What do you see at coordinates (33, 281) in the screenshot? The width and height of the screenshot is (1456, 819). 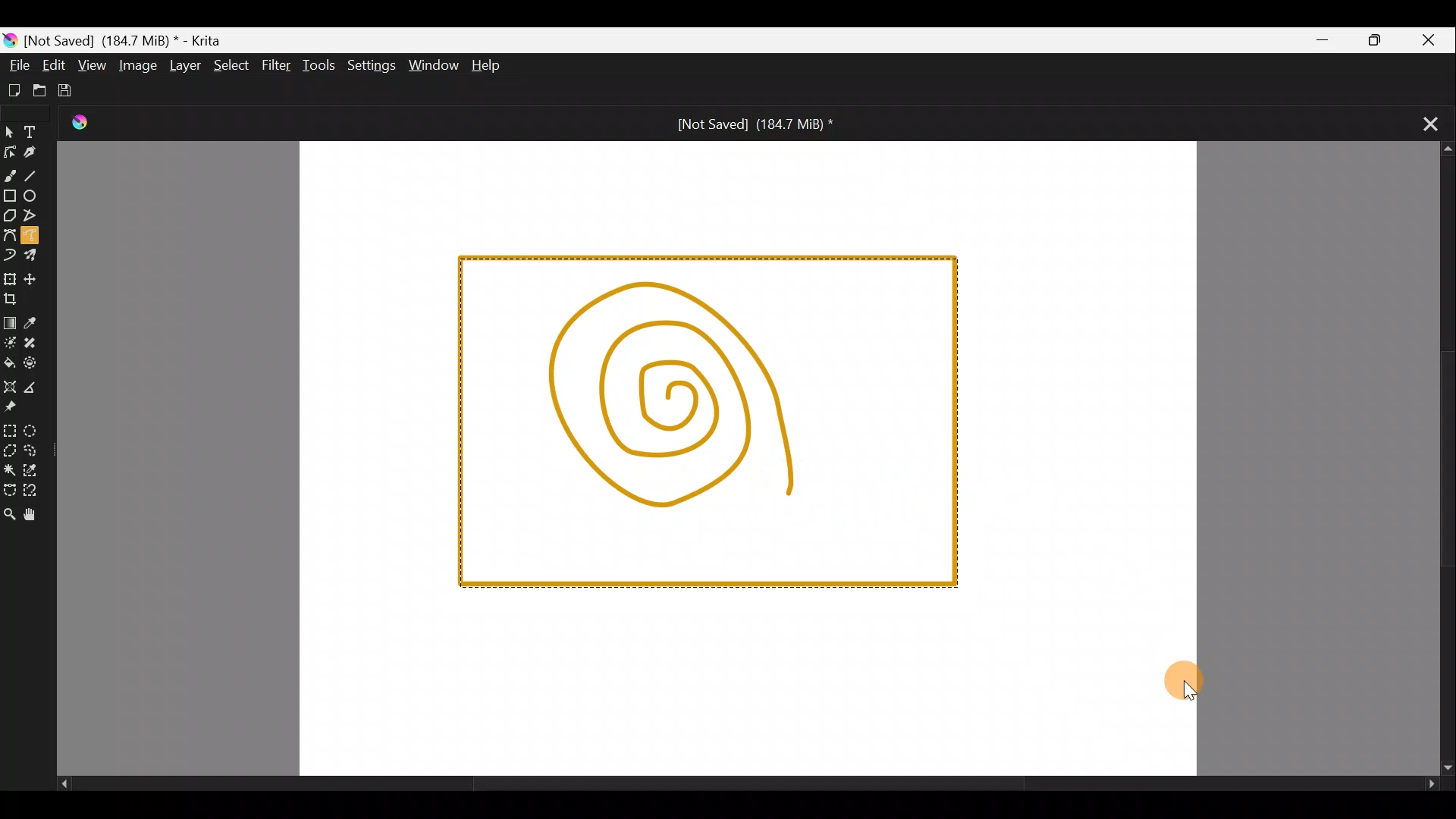 I see `Move a layer` at bounding box center [33, 281].